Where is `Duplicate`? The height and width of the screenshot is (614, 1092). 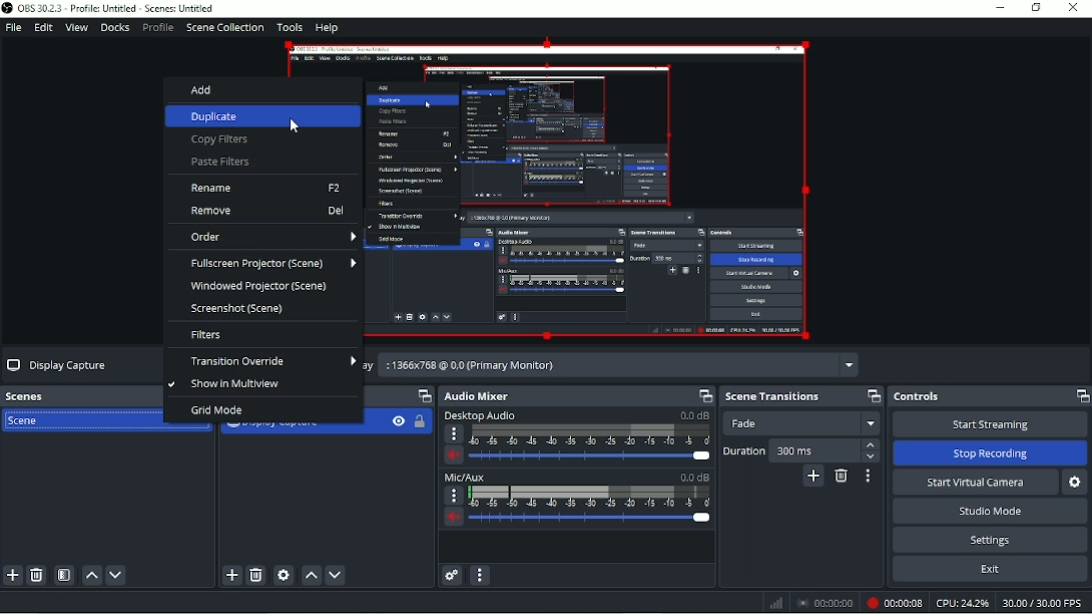 Duplicate is located at coordinates (215, 117).